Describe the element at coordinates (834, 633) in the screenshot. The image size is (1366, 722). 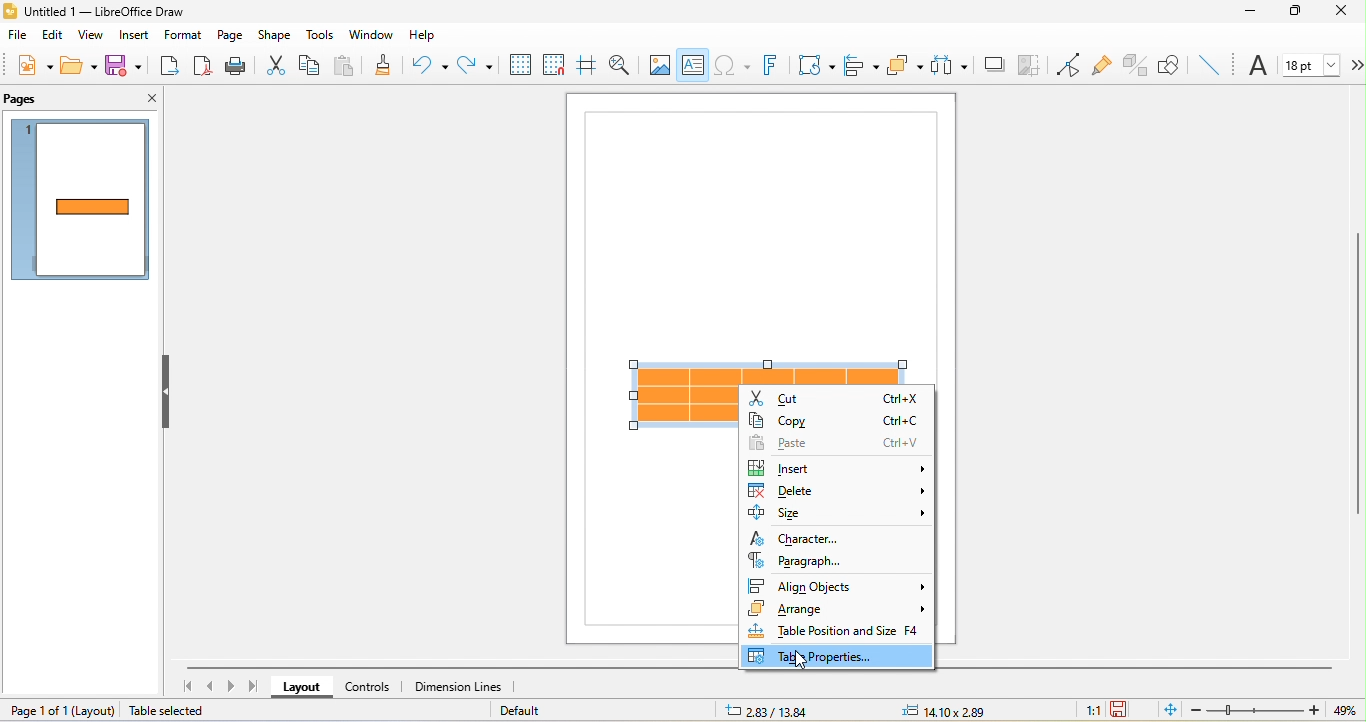
I see `table position and size` at that location.